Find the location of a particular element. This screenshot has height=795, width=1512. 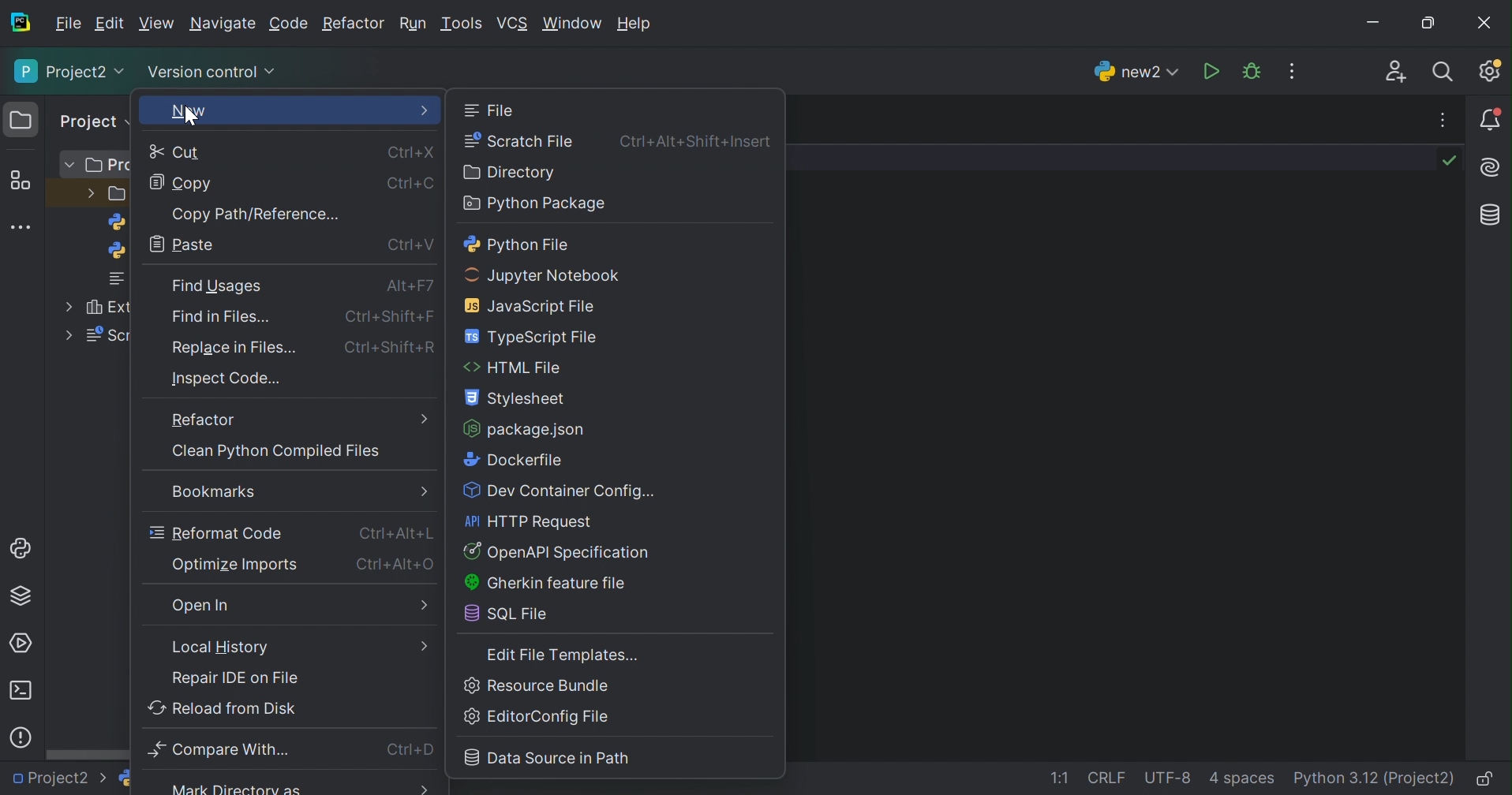

Recent file, tab actions, and more is located at coordinates (1445, 120).